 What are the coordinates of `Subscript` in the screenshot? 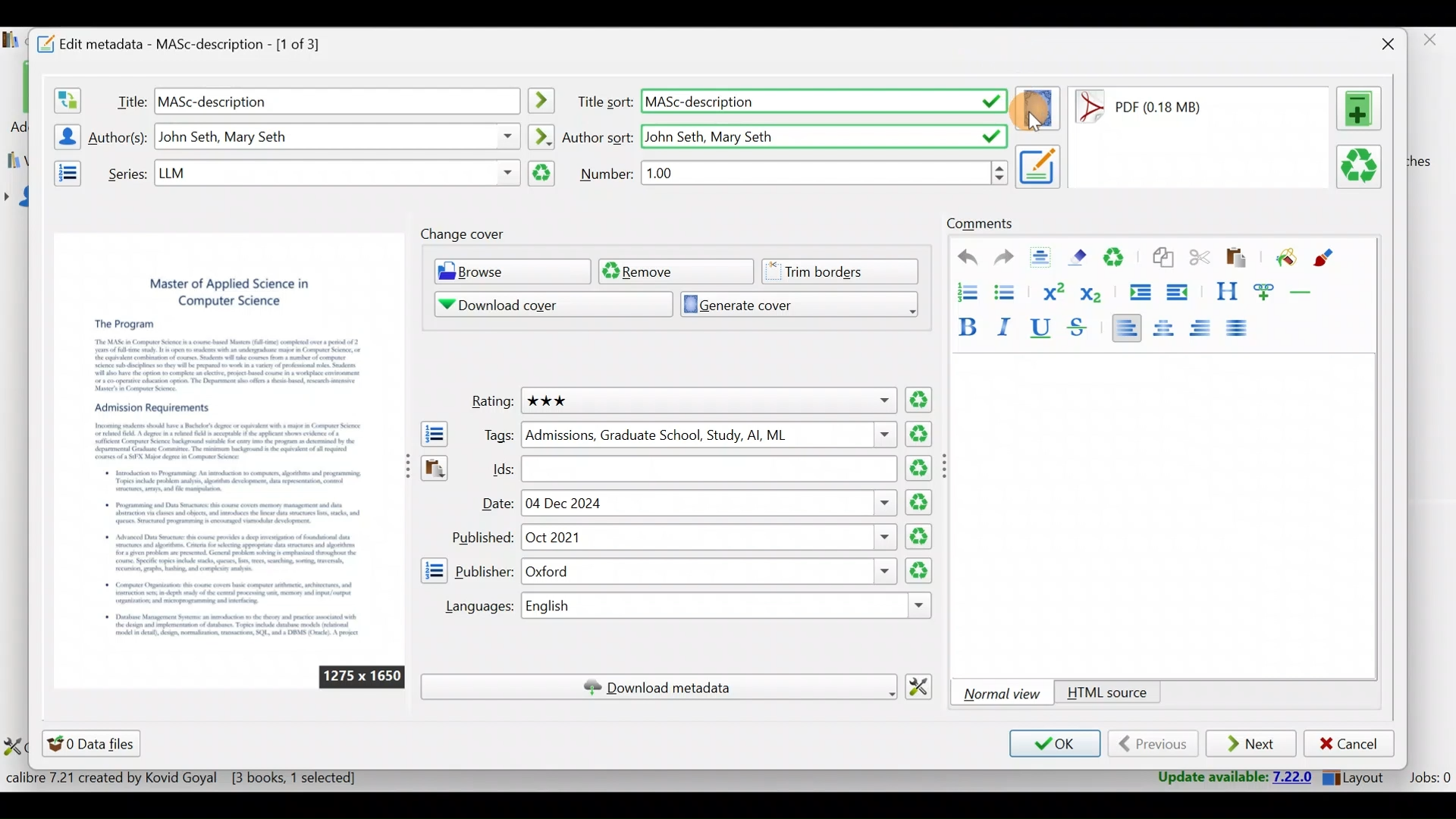 It's located at (1094, 293).